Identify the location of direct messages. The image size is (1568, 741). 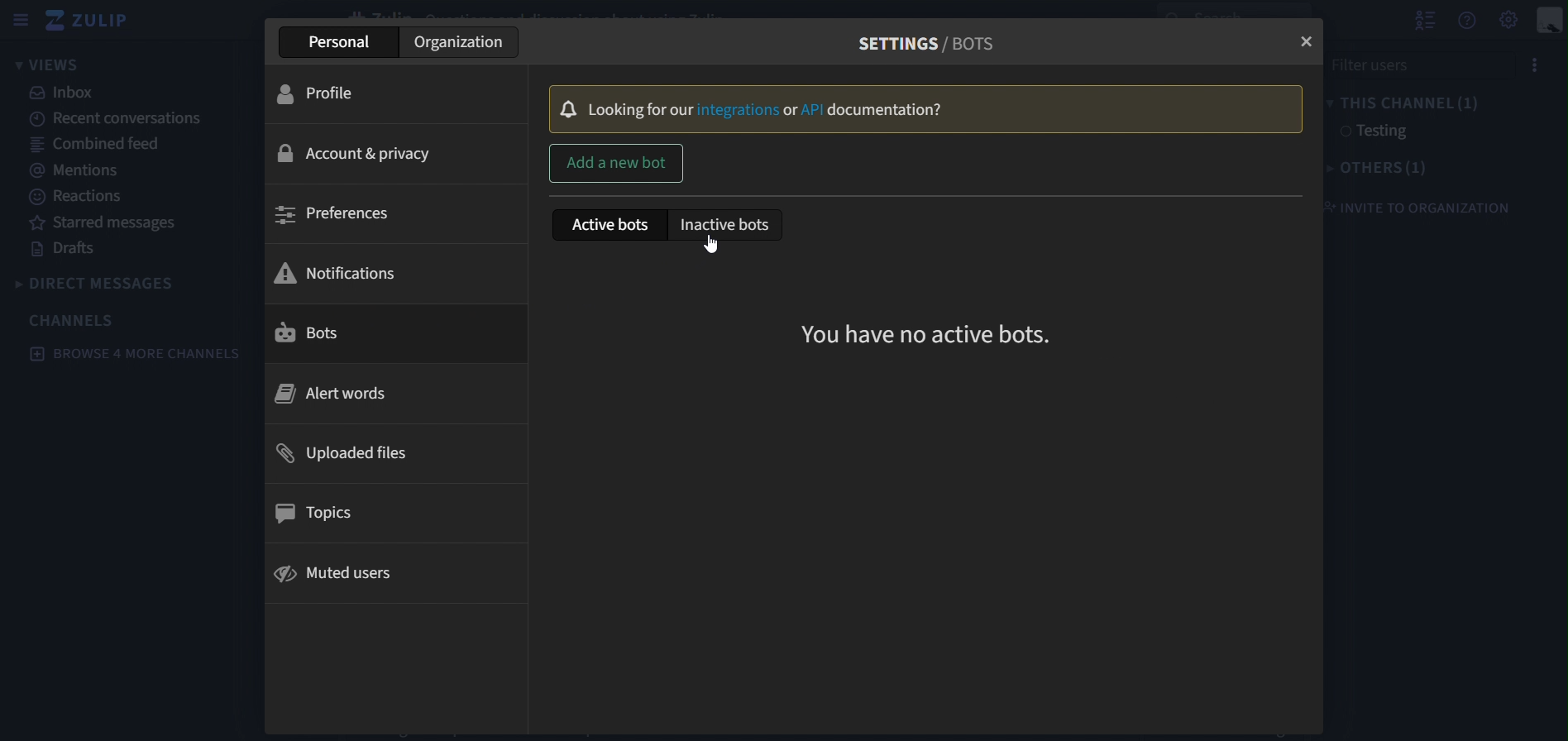
(117, 283).